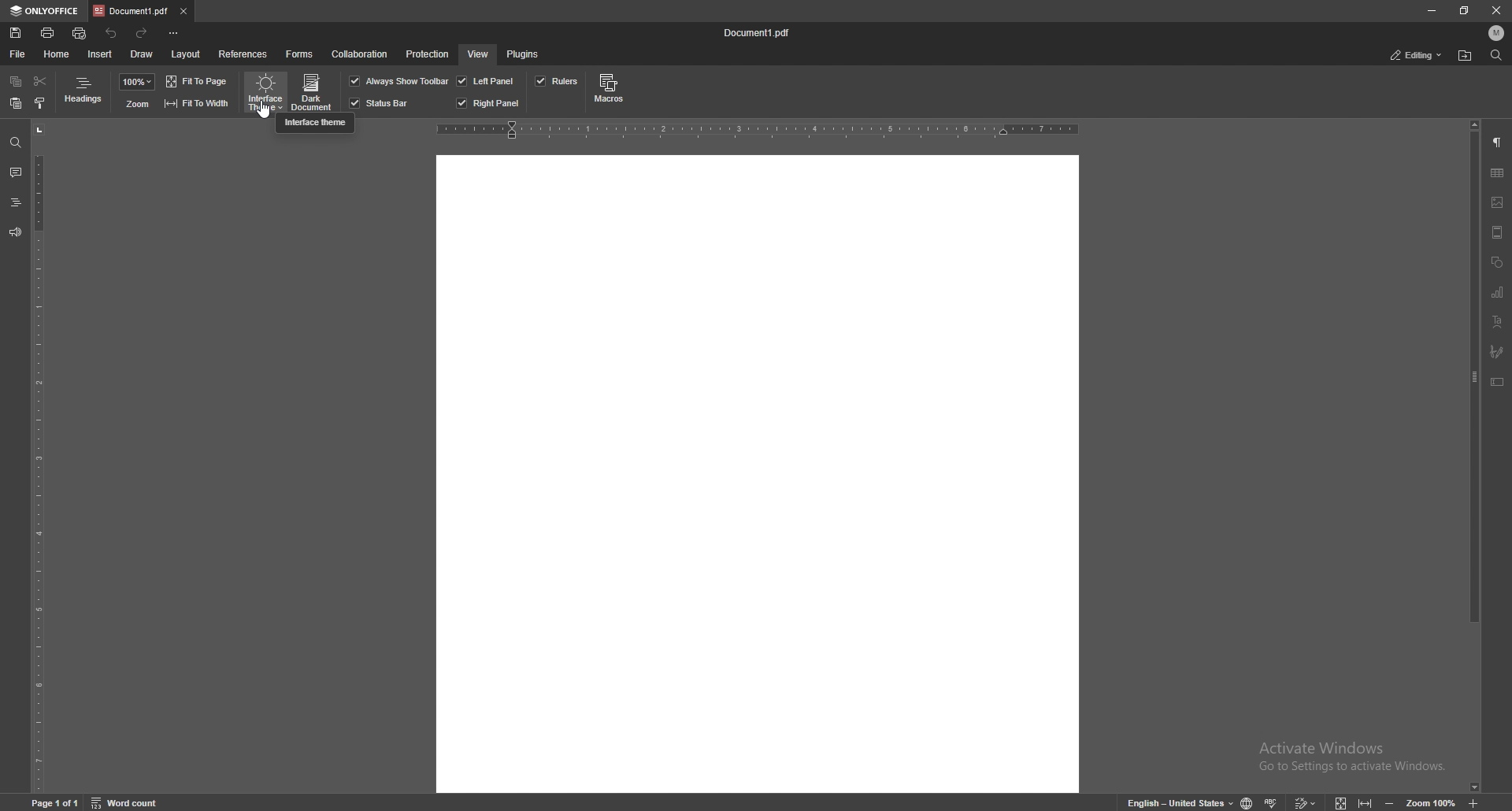 Image resolution: width=1512 pixels, height=811 pixels. Describe the element at coordinates (313, 92) in the screenshot. I see `dark document` at that location.